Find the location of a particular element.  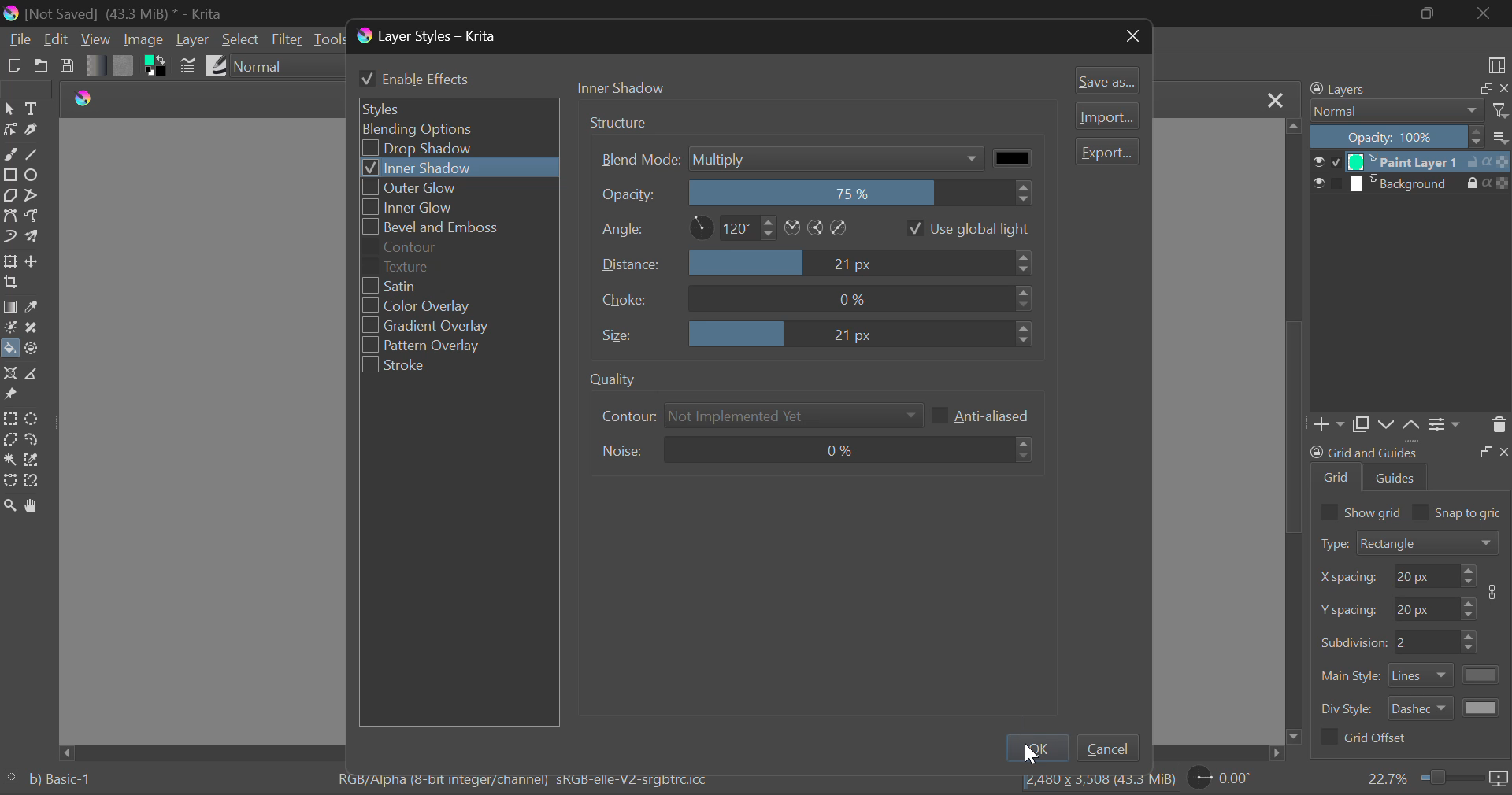

Blending Options is located at coordinates (455, 128).